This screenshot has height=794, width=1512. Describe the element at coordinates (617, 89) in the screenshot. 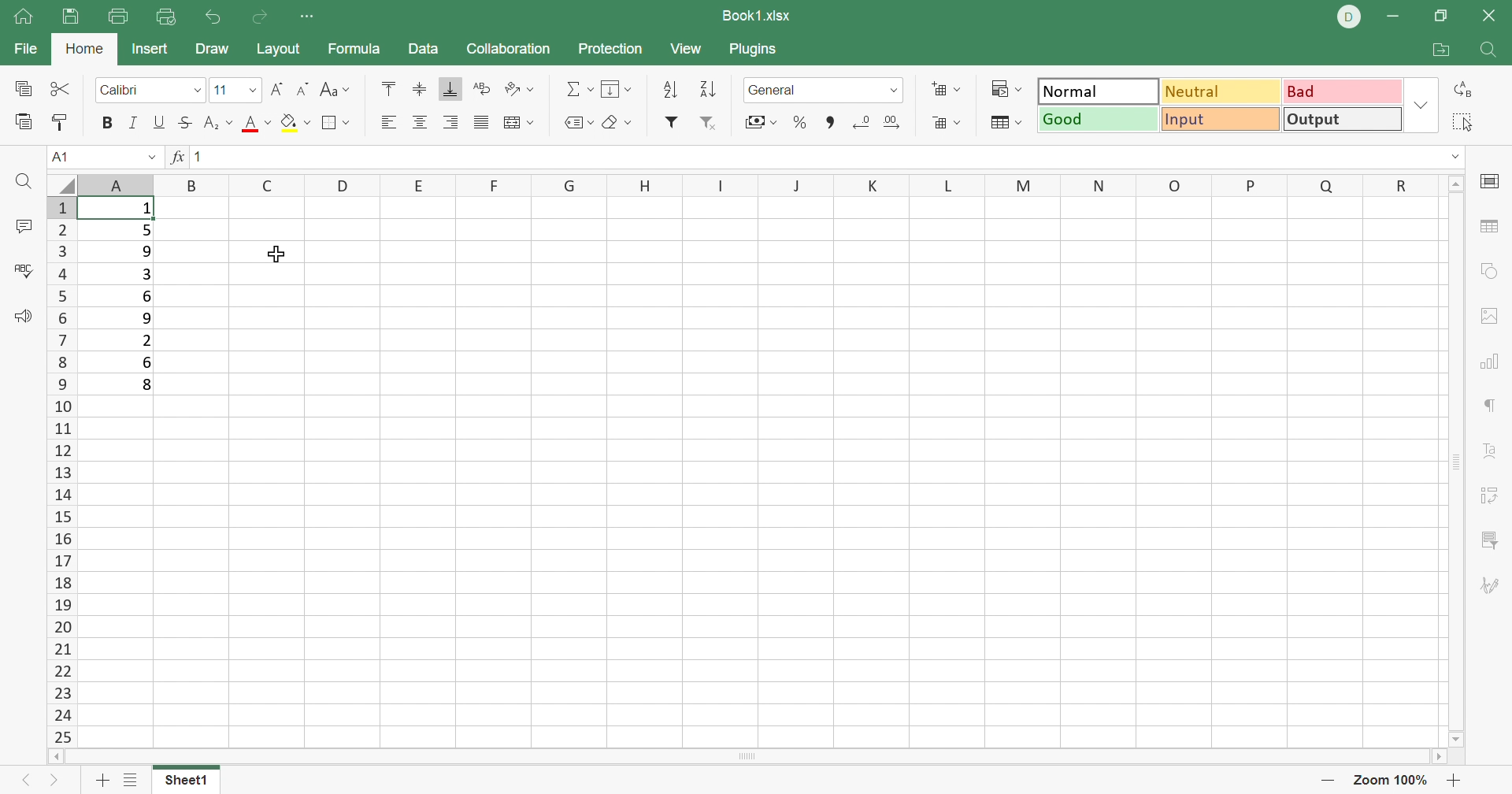

I see `Fill` at that location.